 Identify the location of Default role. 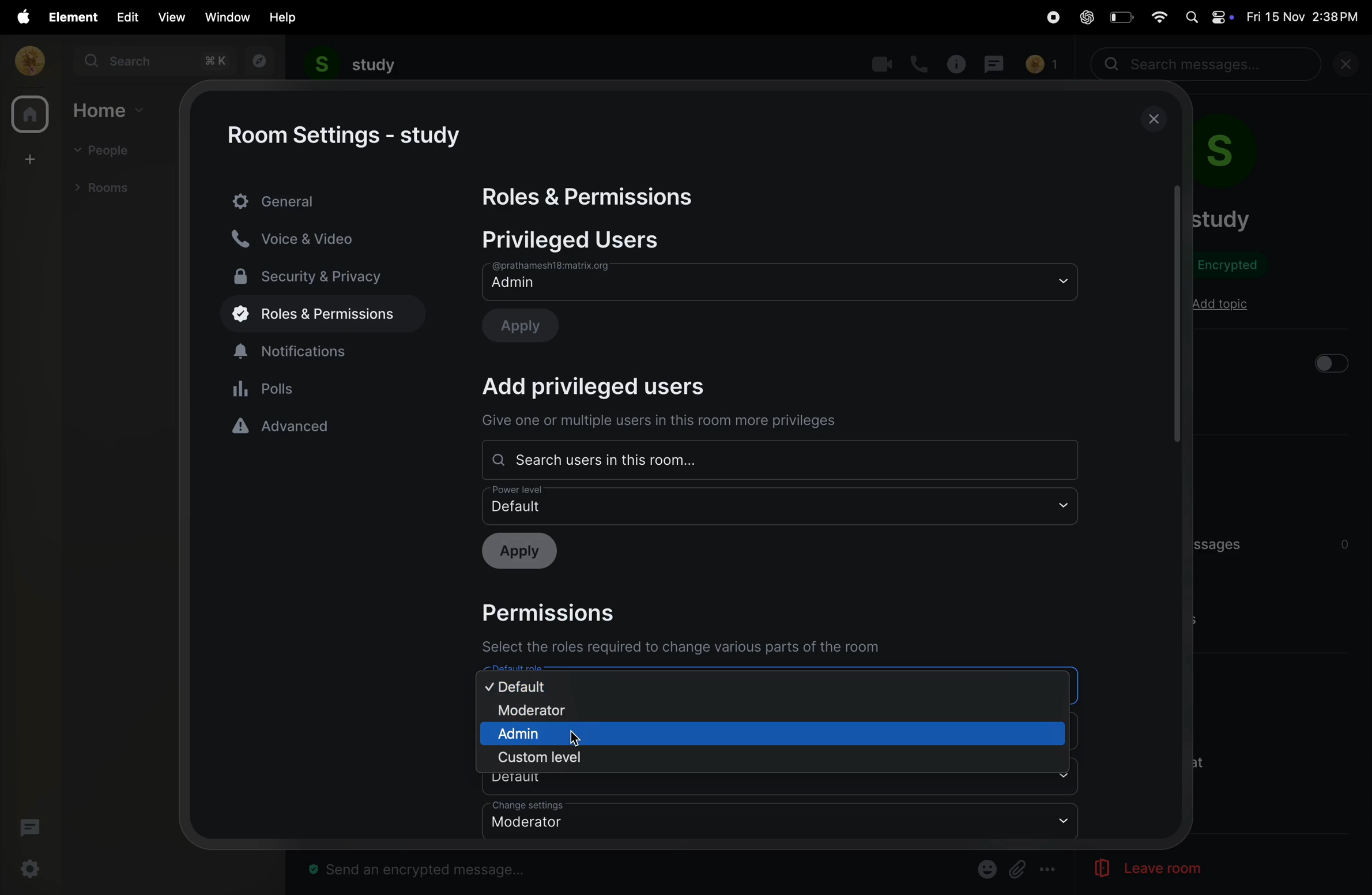
(775, 679).